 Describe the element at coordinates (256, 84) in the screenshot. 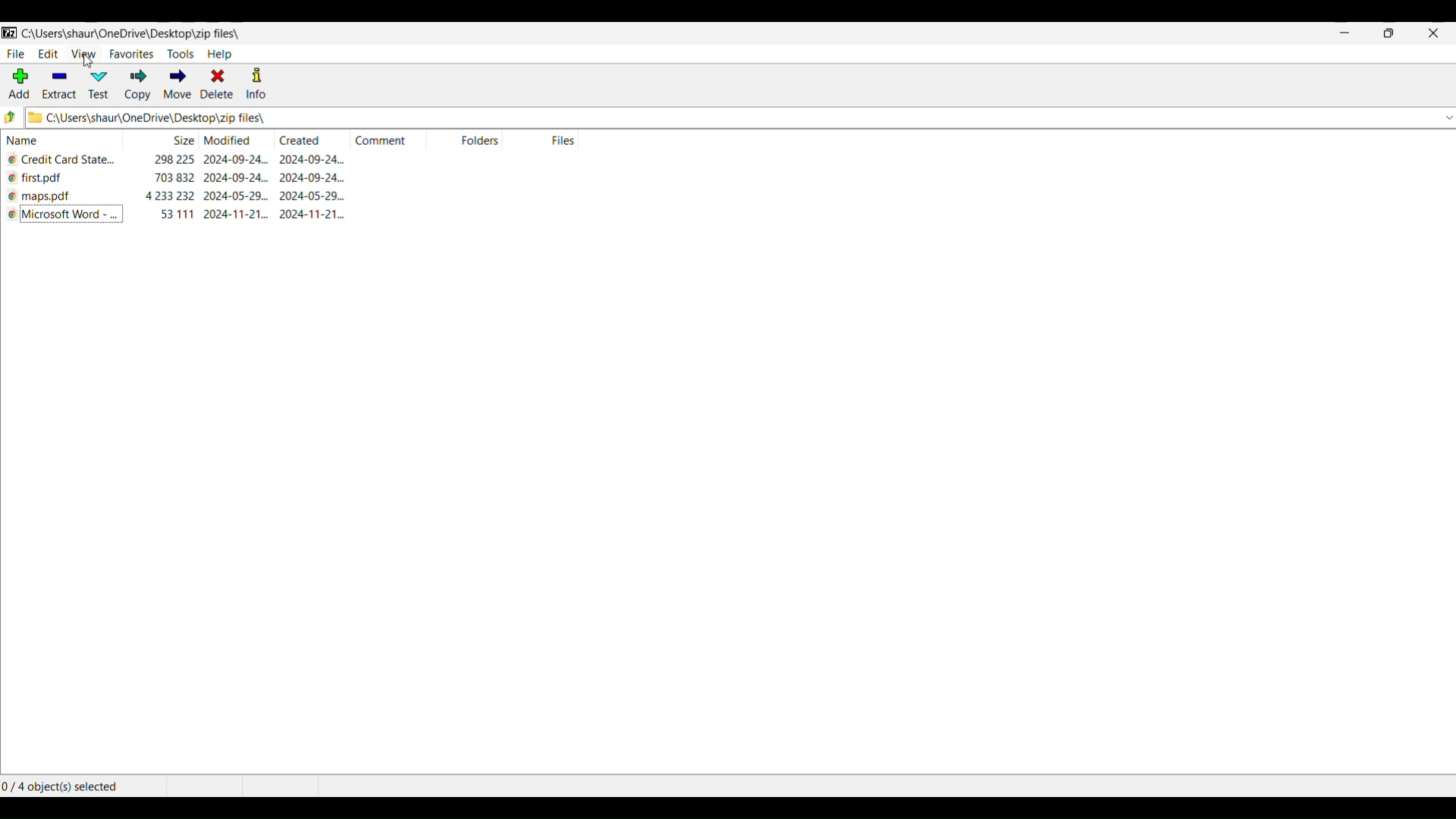

I see `info` at that location.